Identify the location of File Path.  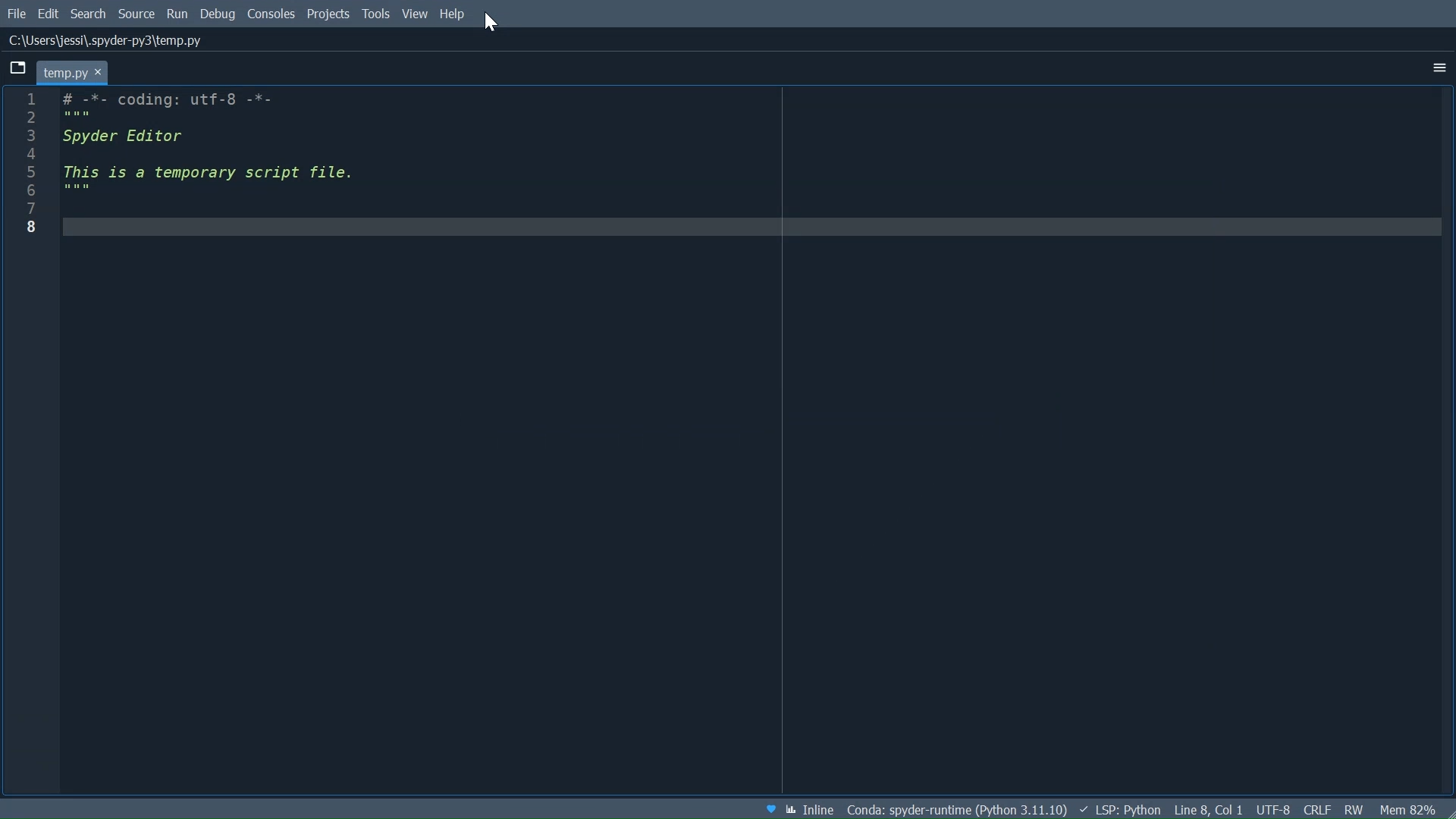
(105, 40).